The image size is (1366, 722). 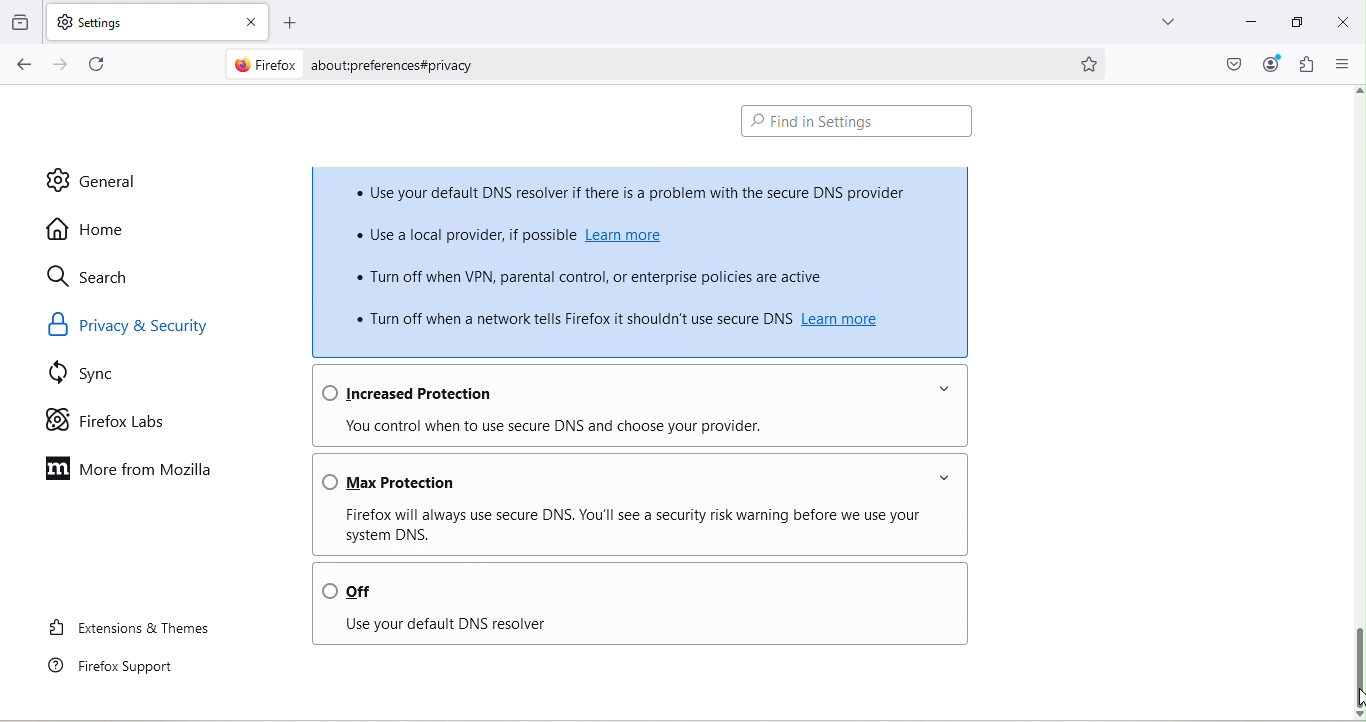 What do you see at coordinates (1307, 65) in the screenshot?
I see `Extensions` at bounding box center [1307, 65].